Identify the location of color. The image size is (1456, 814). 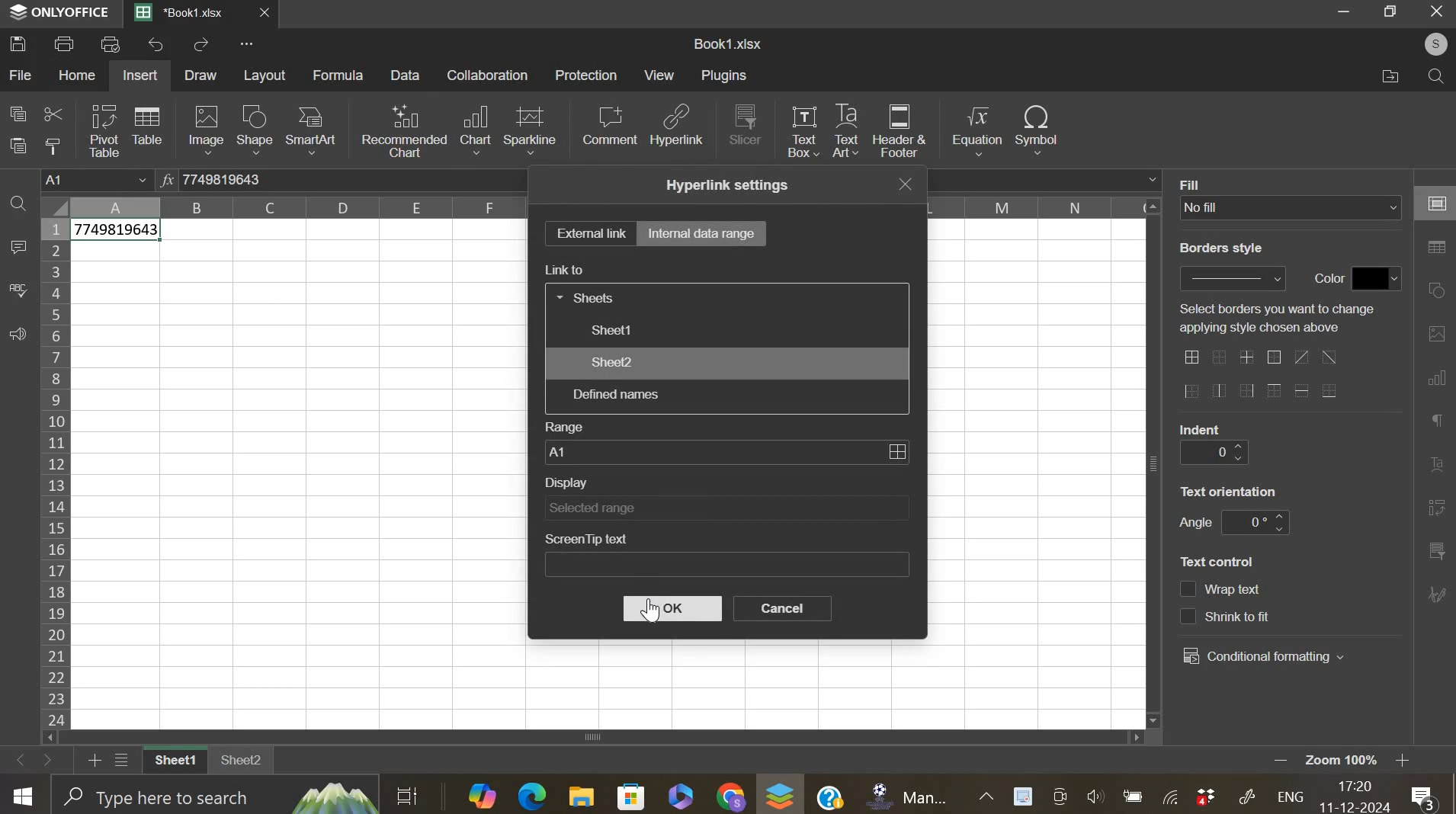
(1377, 278).